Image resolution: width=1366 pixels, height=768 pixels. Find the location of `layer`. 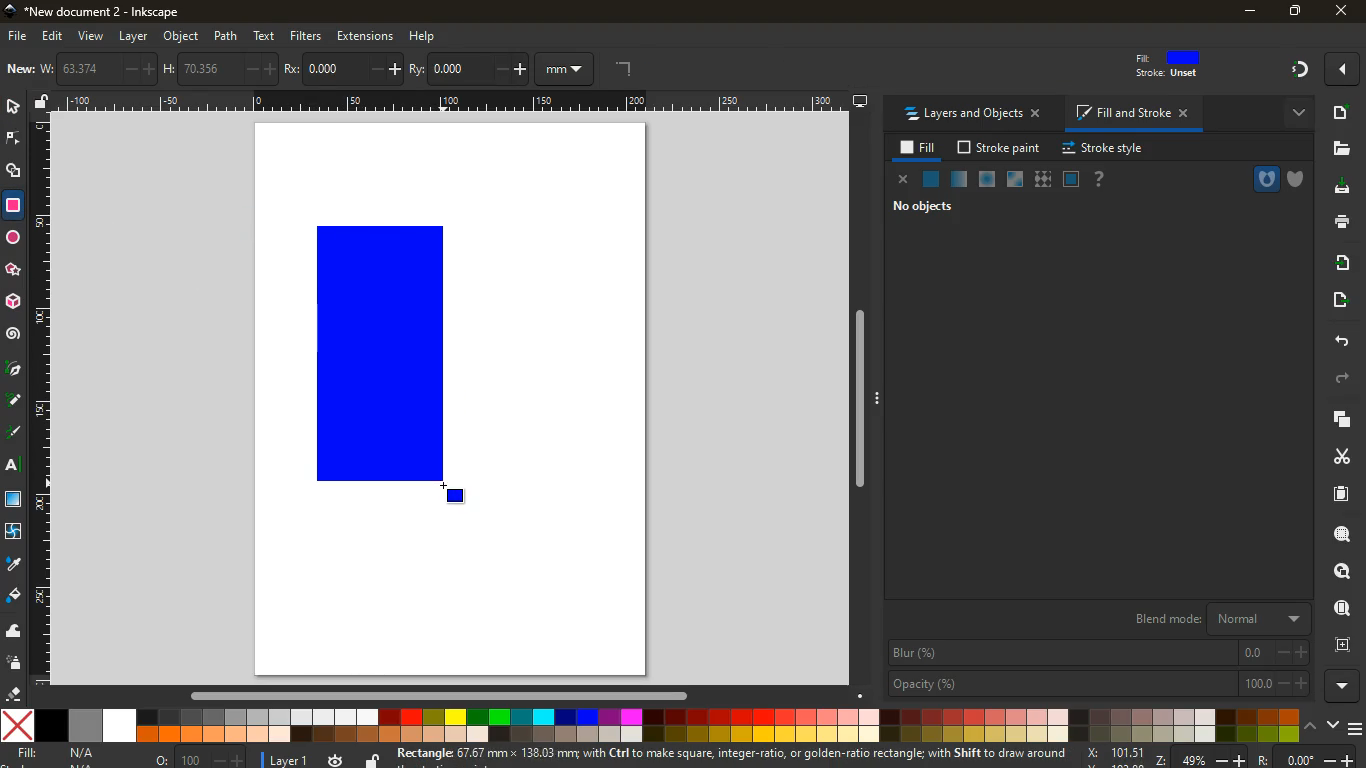

layer is located at coordinates (133, 37).